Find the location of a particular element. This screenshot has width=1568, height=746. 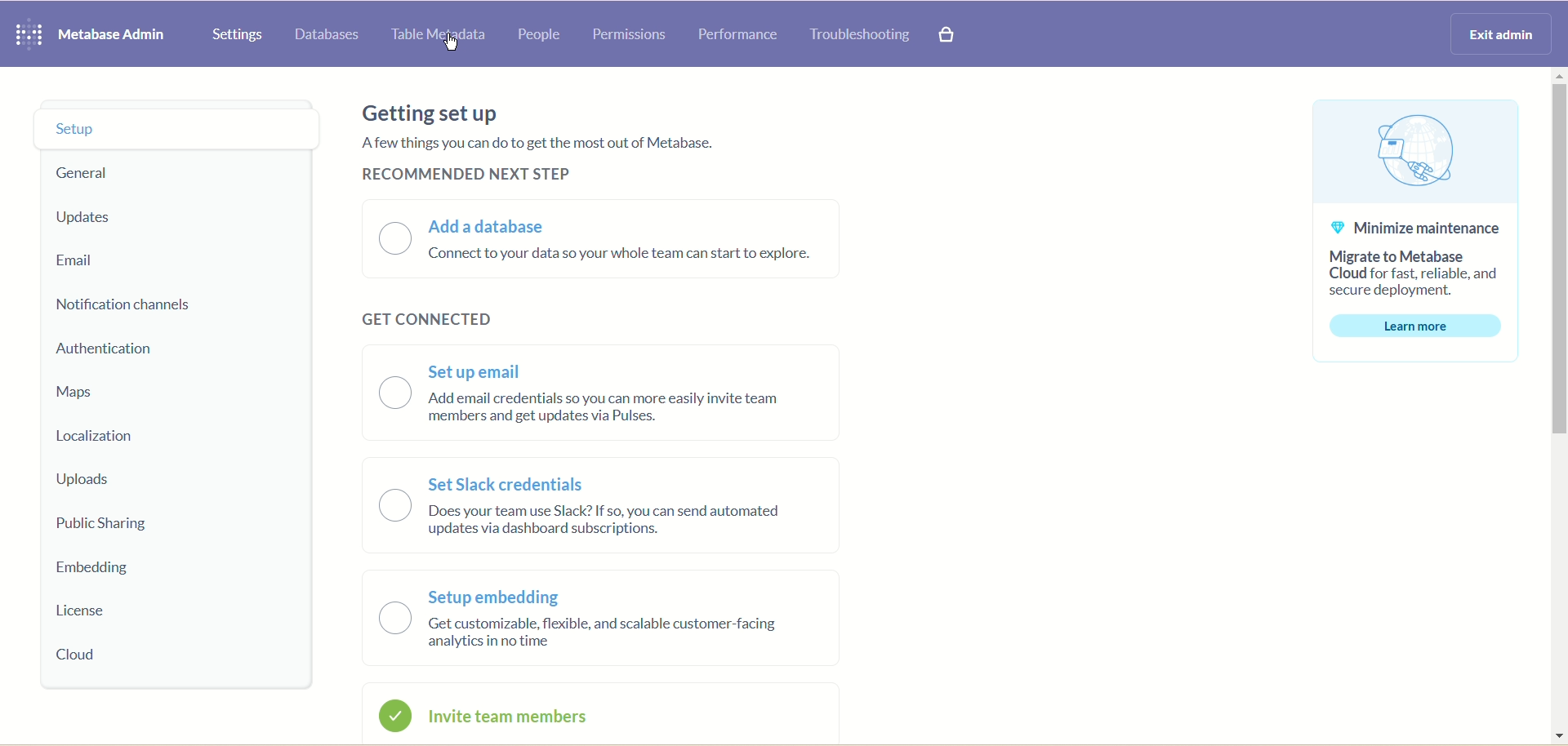

Metabase admin is located at coordinates (118, 36).